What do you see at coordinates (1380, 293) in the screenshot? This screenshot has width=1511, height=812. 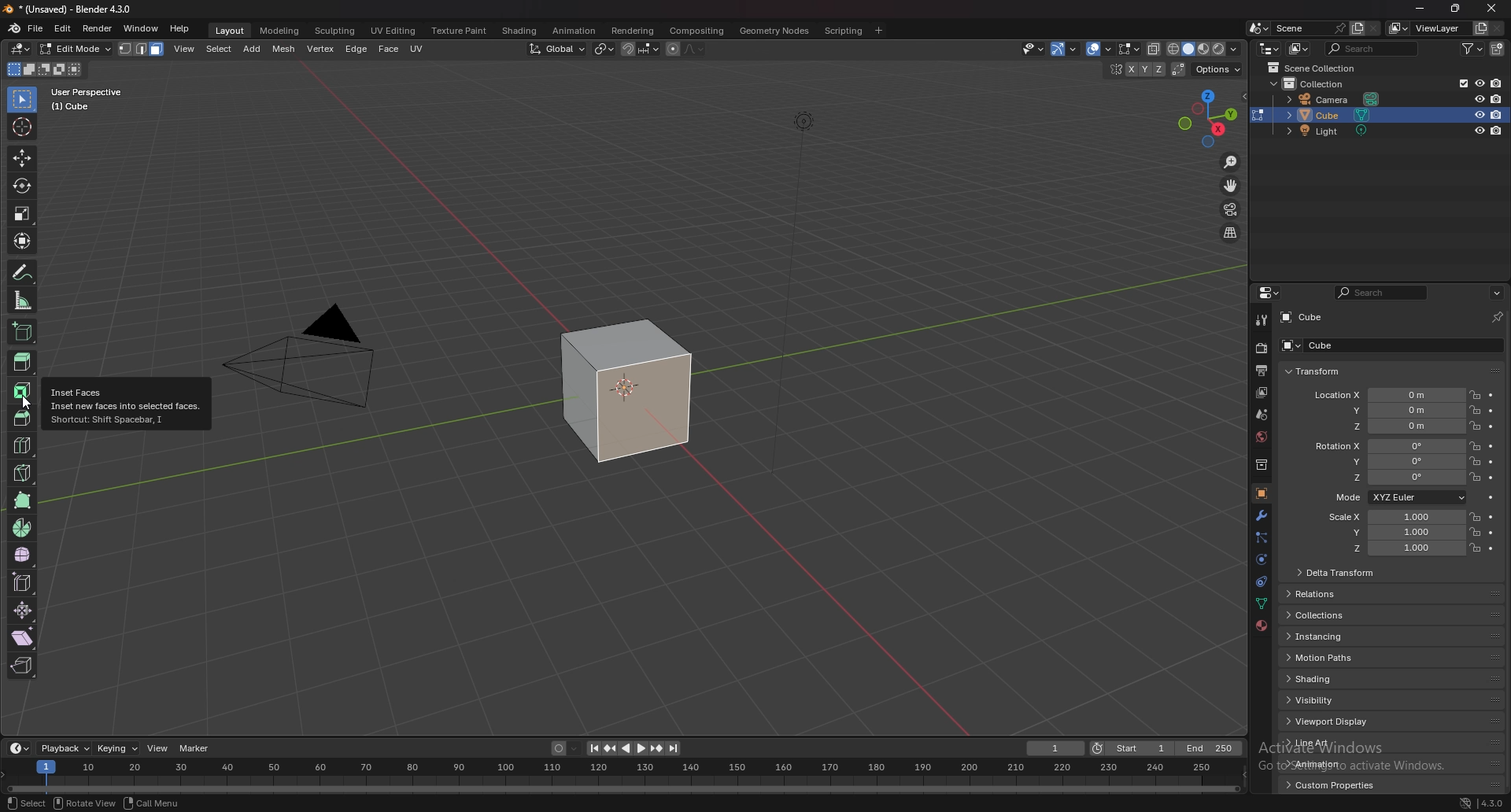 I see `search` at bounding box center [1380, 293].